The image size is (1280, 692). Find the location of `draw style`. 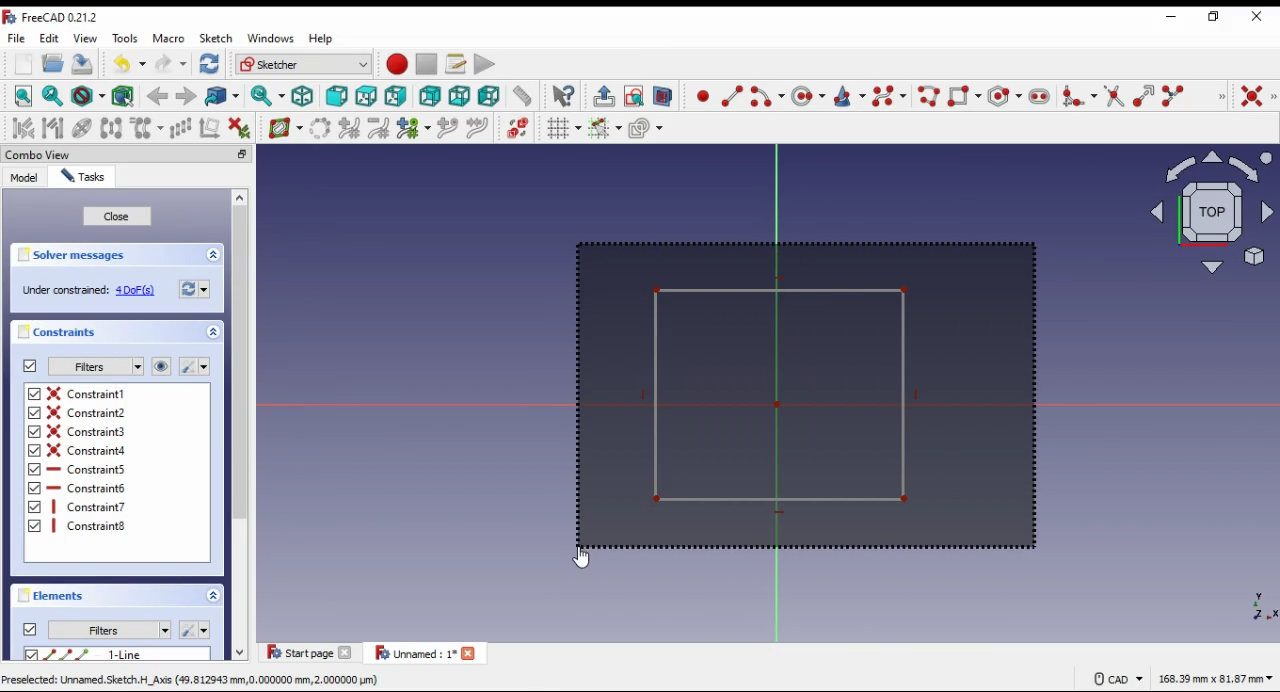

draw style is located at coordinates (89, 96).